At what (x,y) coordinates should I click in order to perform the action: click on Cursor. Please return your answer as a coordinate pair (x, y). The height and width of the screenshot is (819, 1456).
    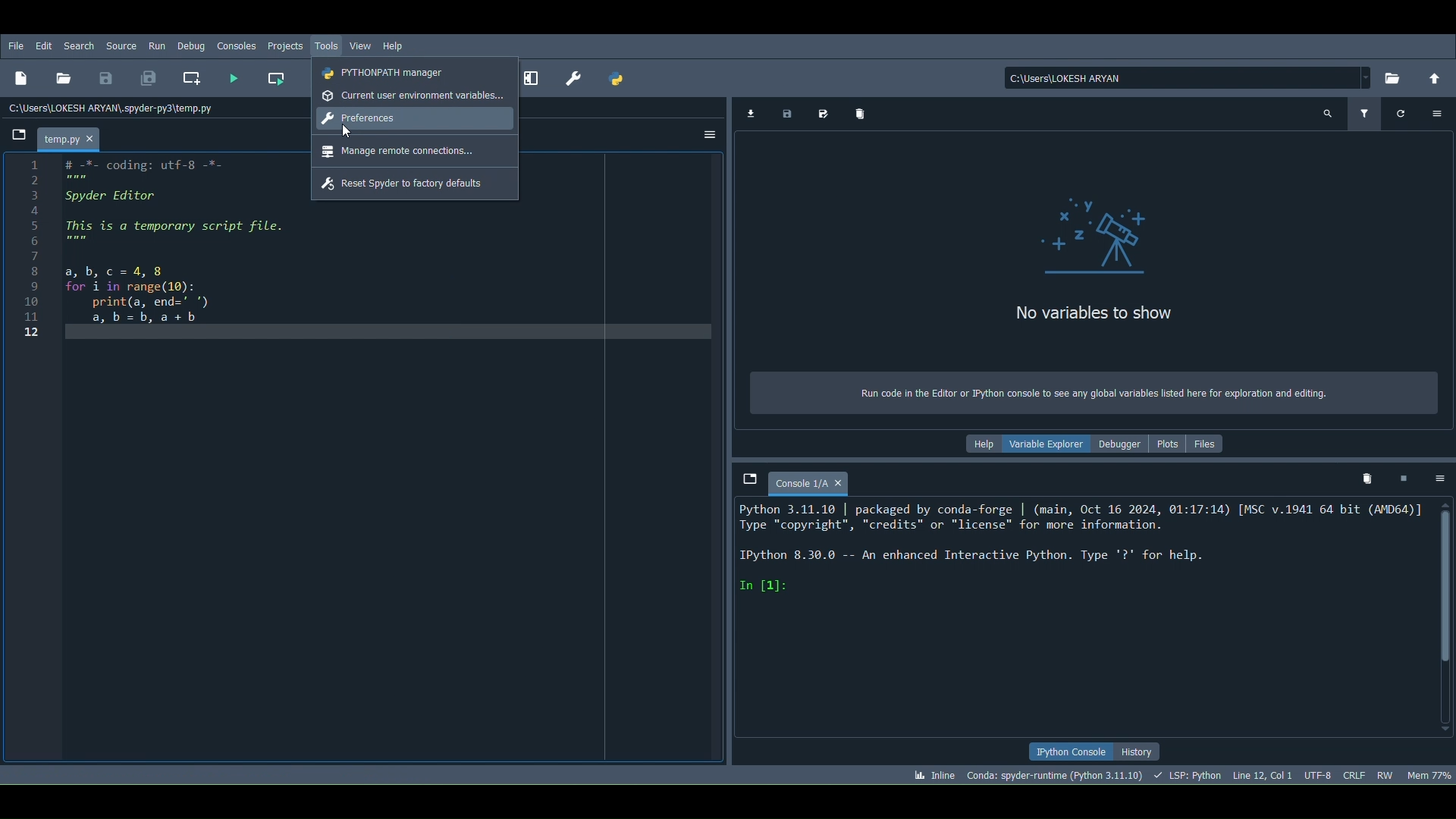
    Looking at the image, I should click on (350, 131).